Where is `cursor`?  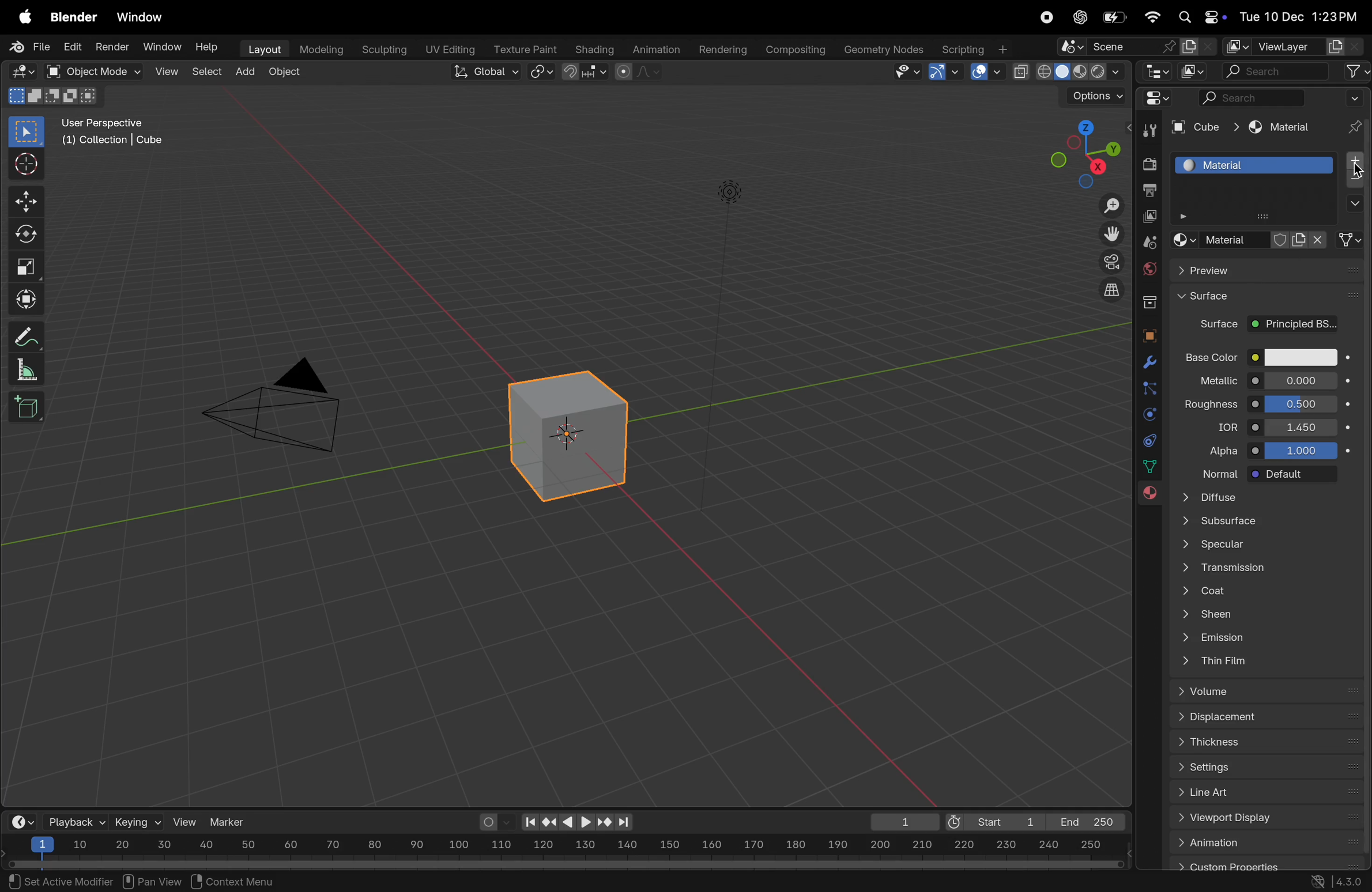 cursor is located at coordinates (24, 165).